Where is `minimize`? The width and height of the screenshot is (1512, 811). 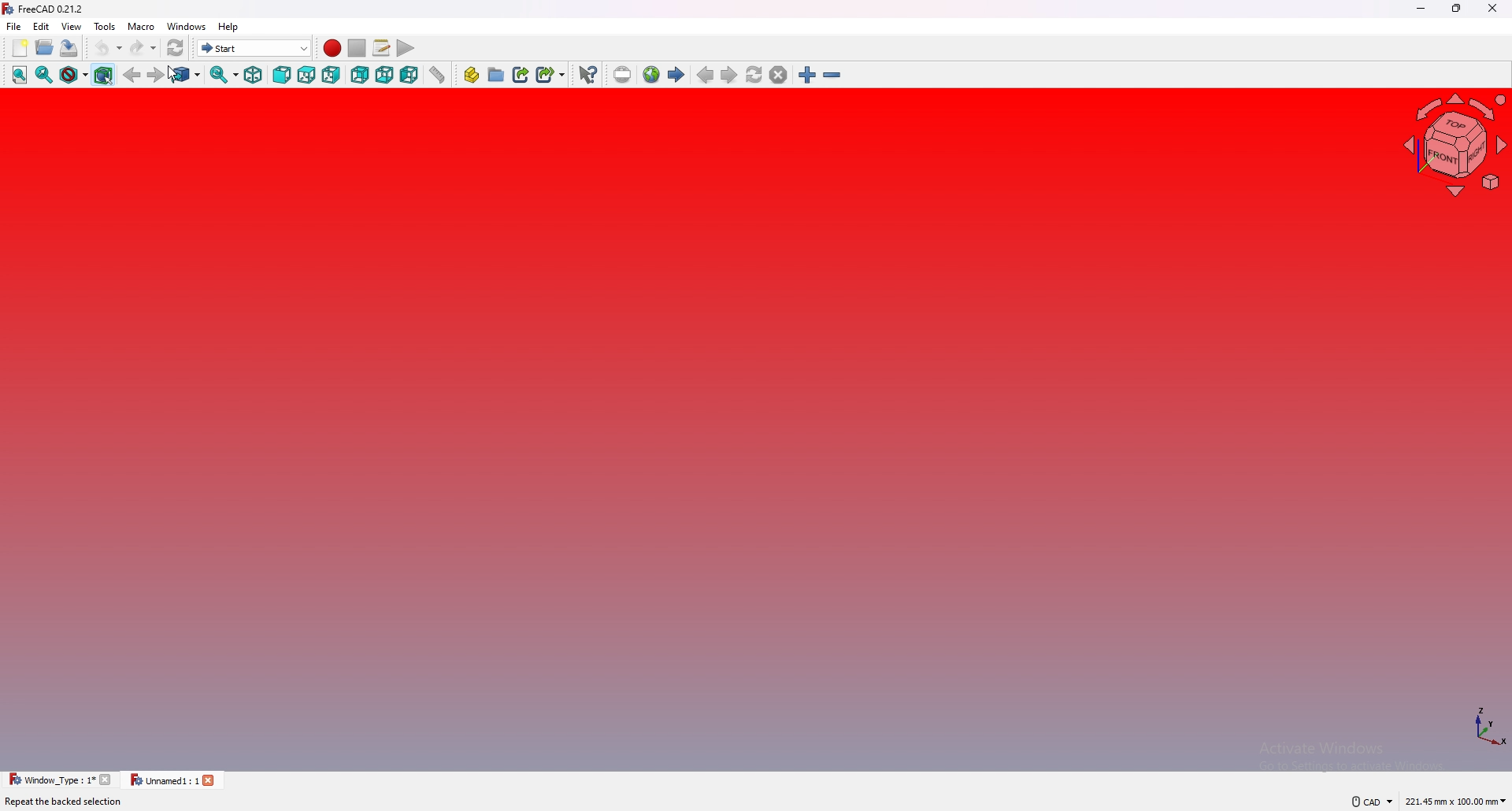
minimize is located at coordinates (1420, 9).